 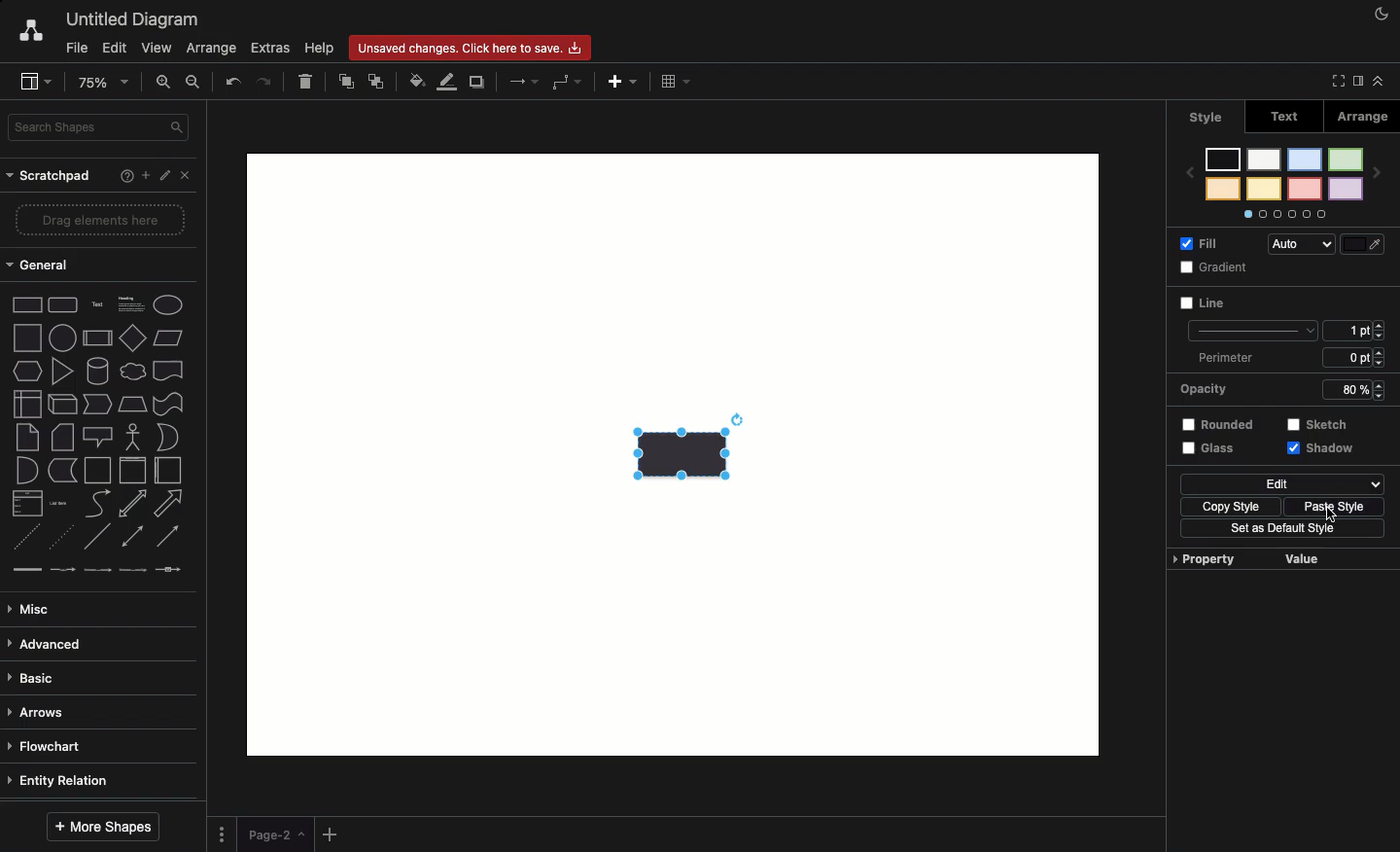 I want to click on Close, so click(x=184, y=178).